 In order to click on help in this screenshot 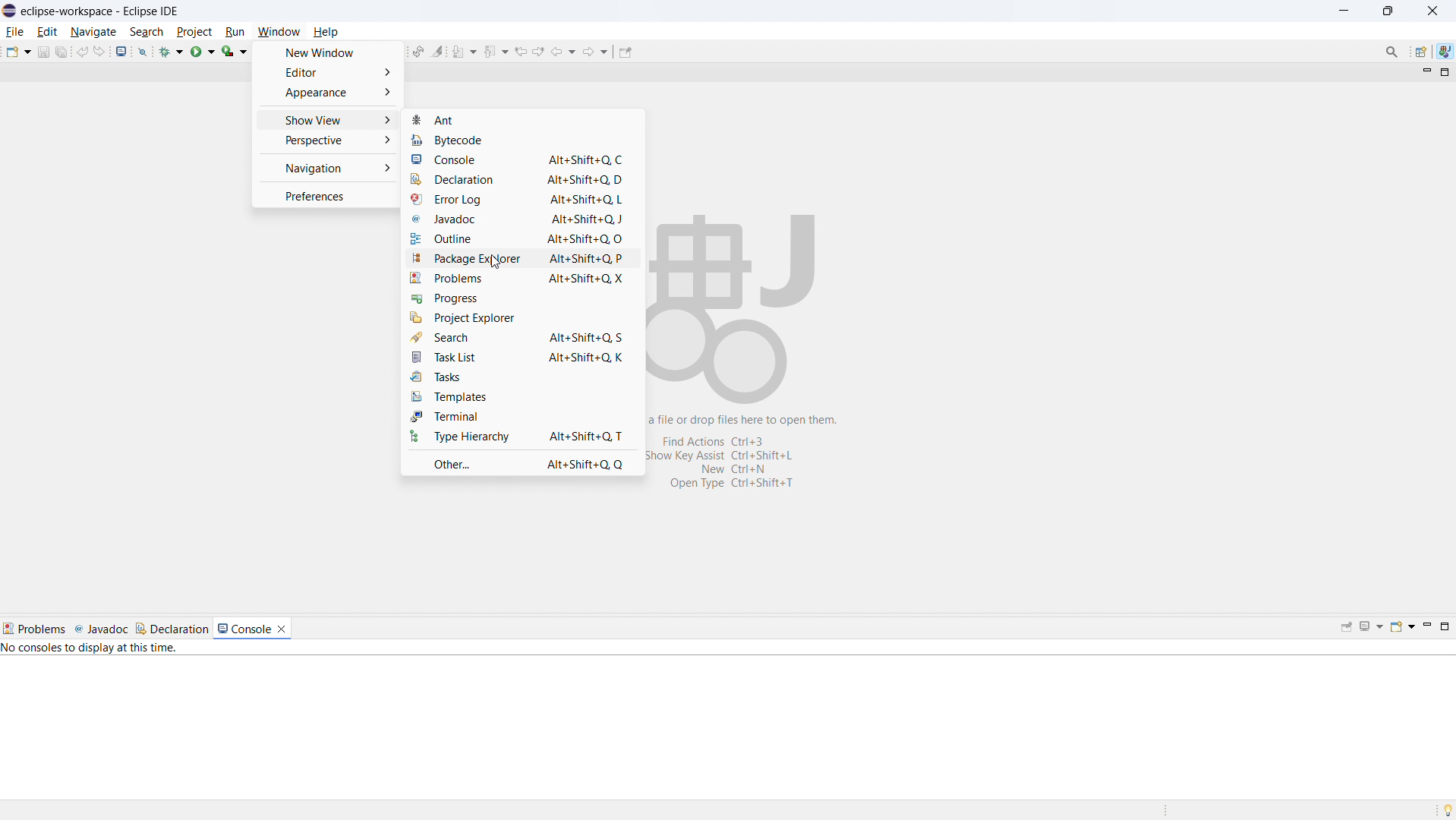, I will do `click(325, 32)`.